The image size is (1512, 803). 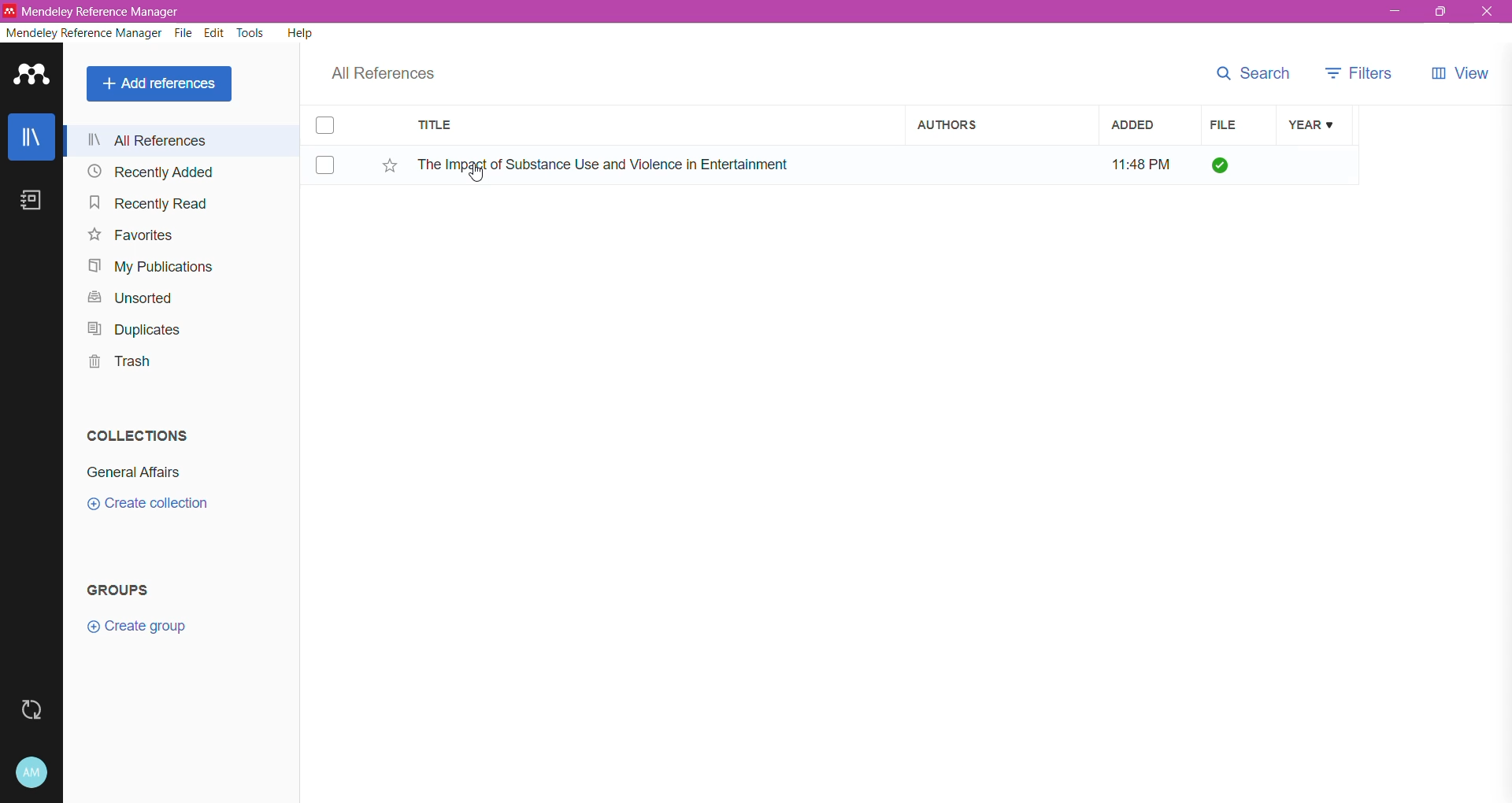 I want to click on Add References, so click(x=159, y=84).